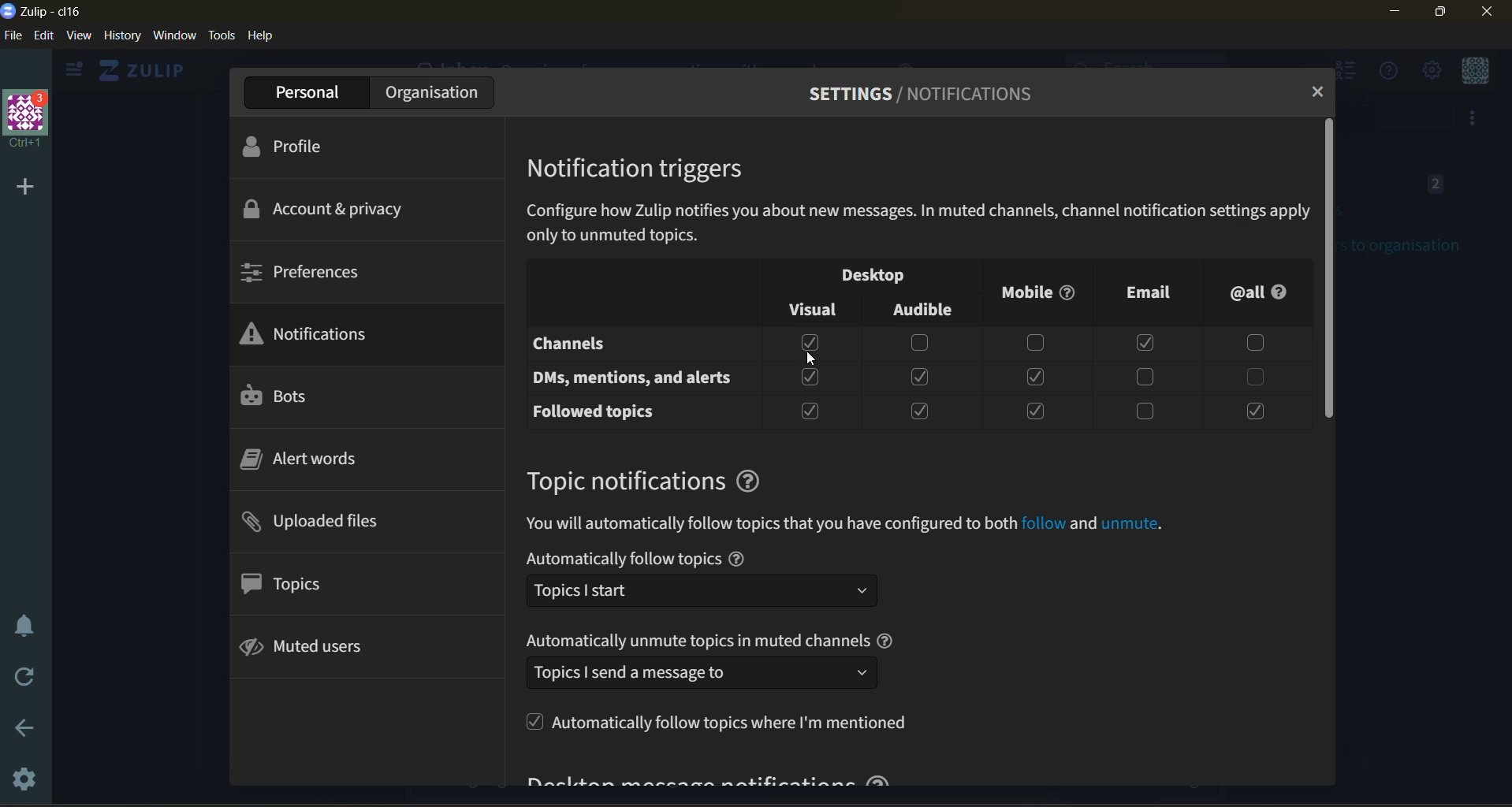 Image resolution: width=1512 pixels, height=807 pixels. Describe the element at coordinates (330, 208) in the screenshot. I see `account and privacy` at that location.